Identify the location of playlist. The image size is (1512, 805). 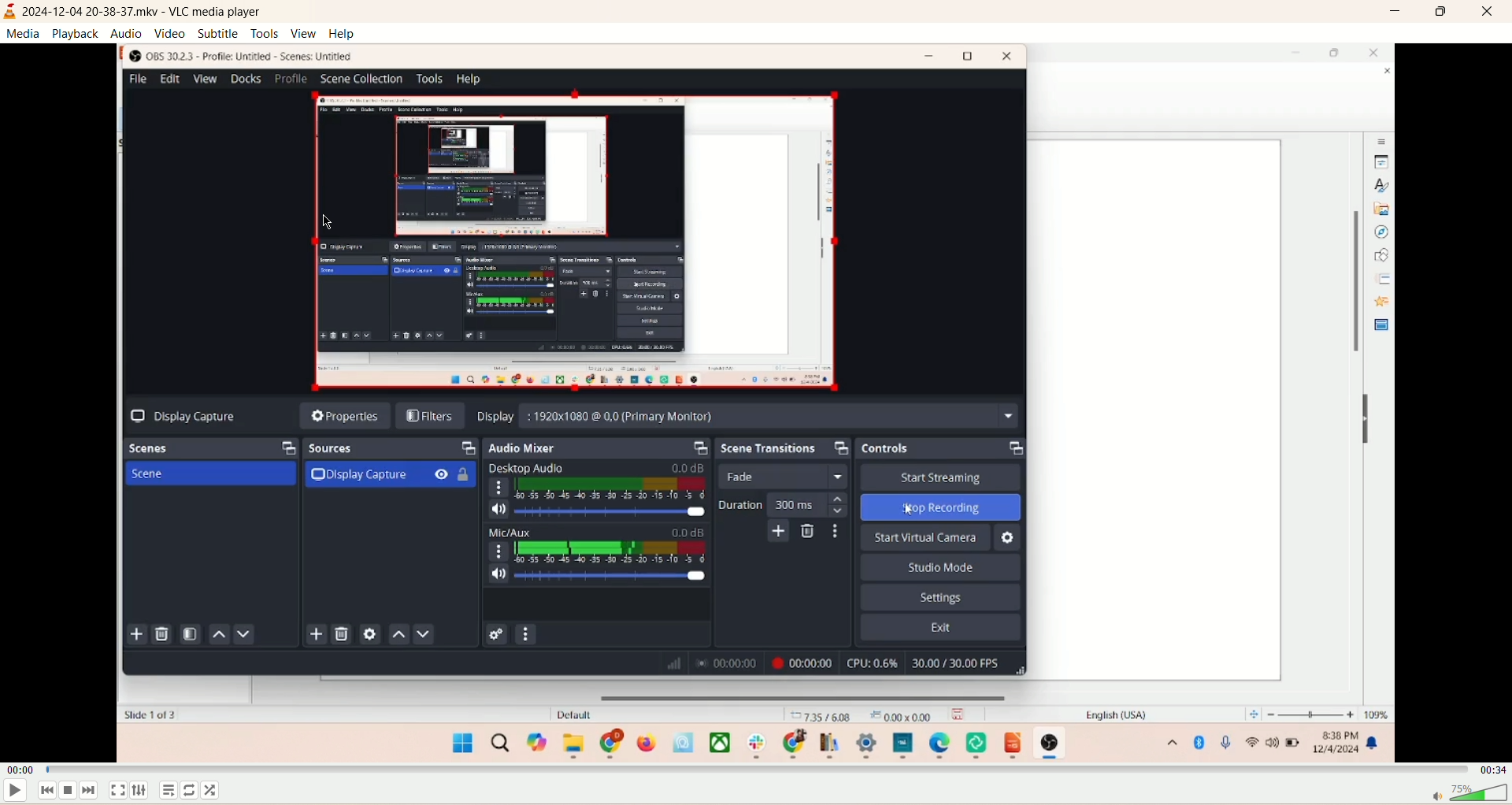
(171, 792).